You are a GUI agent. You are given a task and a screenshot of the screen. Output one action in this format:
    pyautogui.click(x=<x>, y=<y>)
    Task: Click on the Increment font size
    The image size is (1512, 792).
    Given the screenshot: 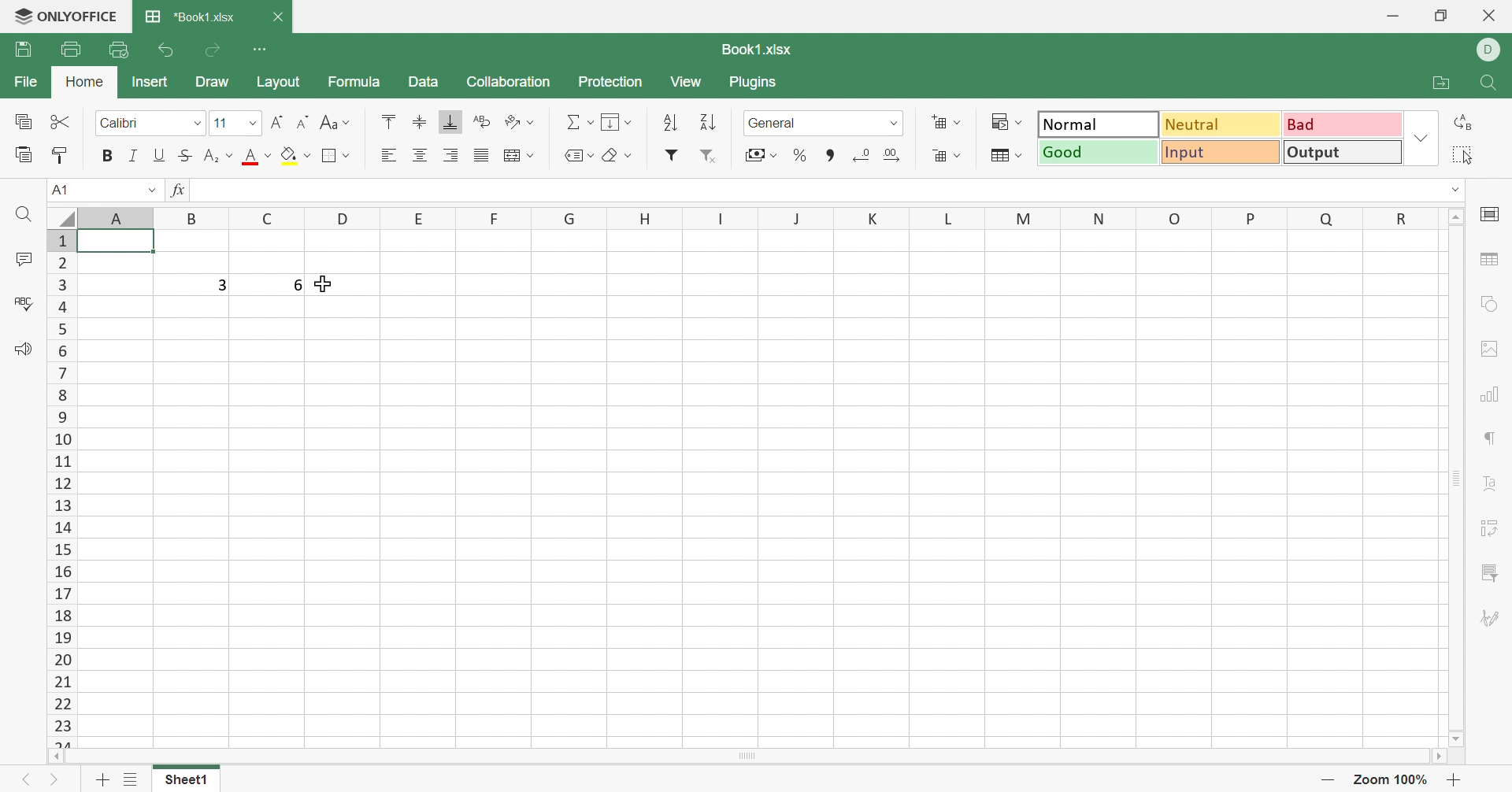 What is the action you would take?
    pyautogui.click(x=277, y=124)
    